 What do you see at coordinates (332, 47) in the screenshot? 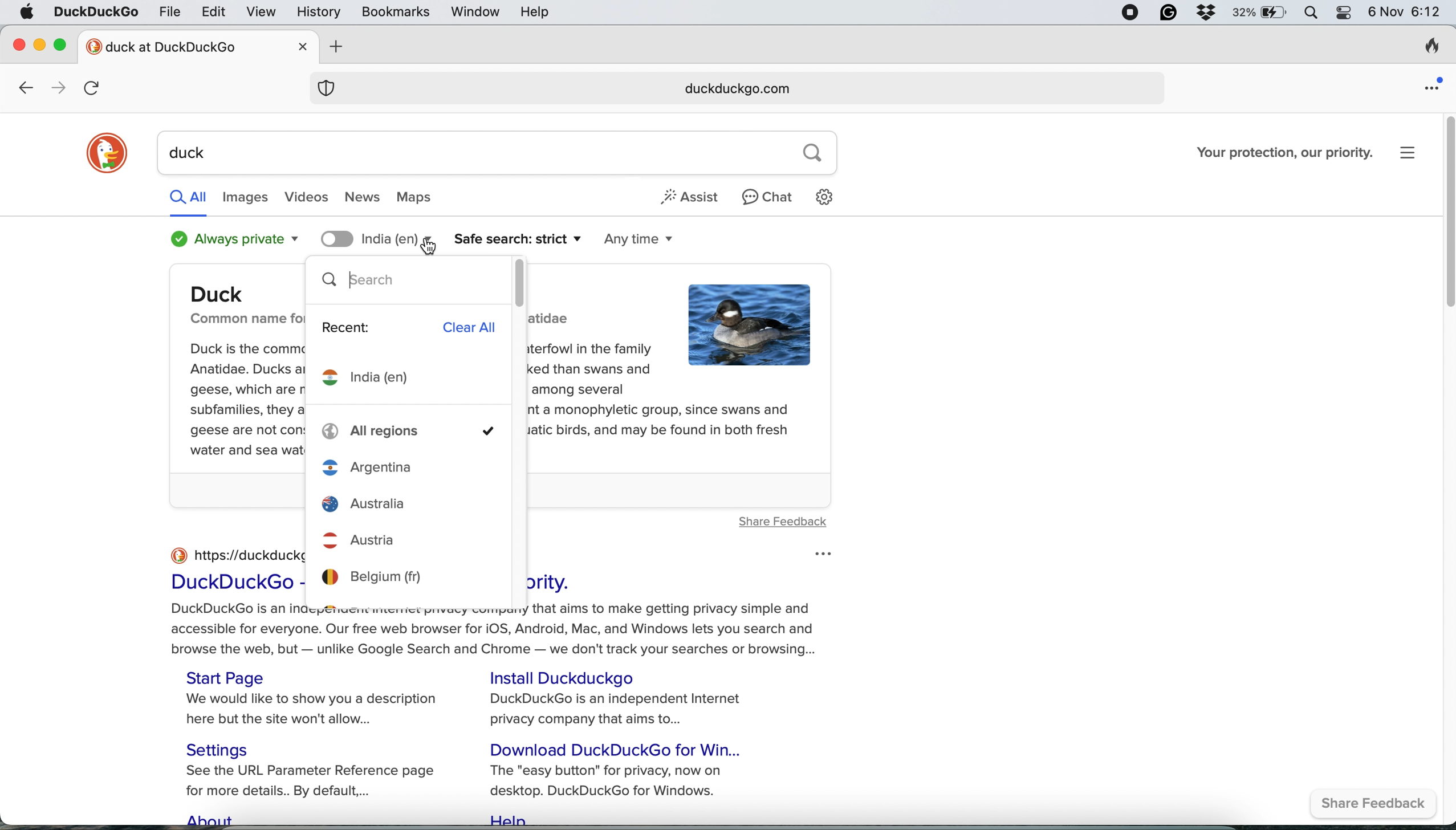
I see `add new tab` at bounding box center [332, 47].